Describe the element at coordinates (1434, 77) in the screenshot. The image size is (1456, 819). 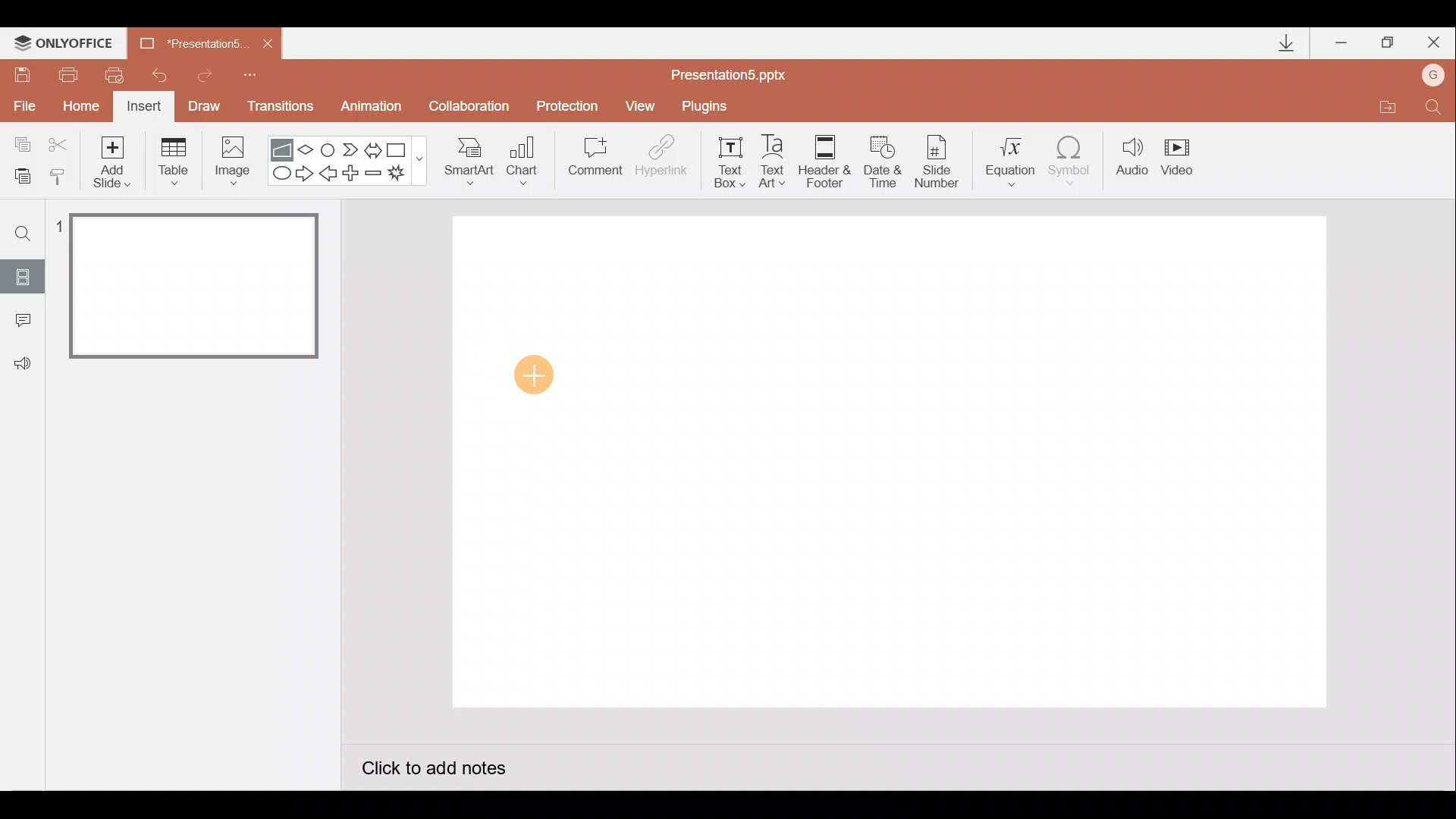
I see `Account name` at that location.